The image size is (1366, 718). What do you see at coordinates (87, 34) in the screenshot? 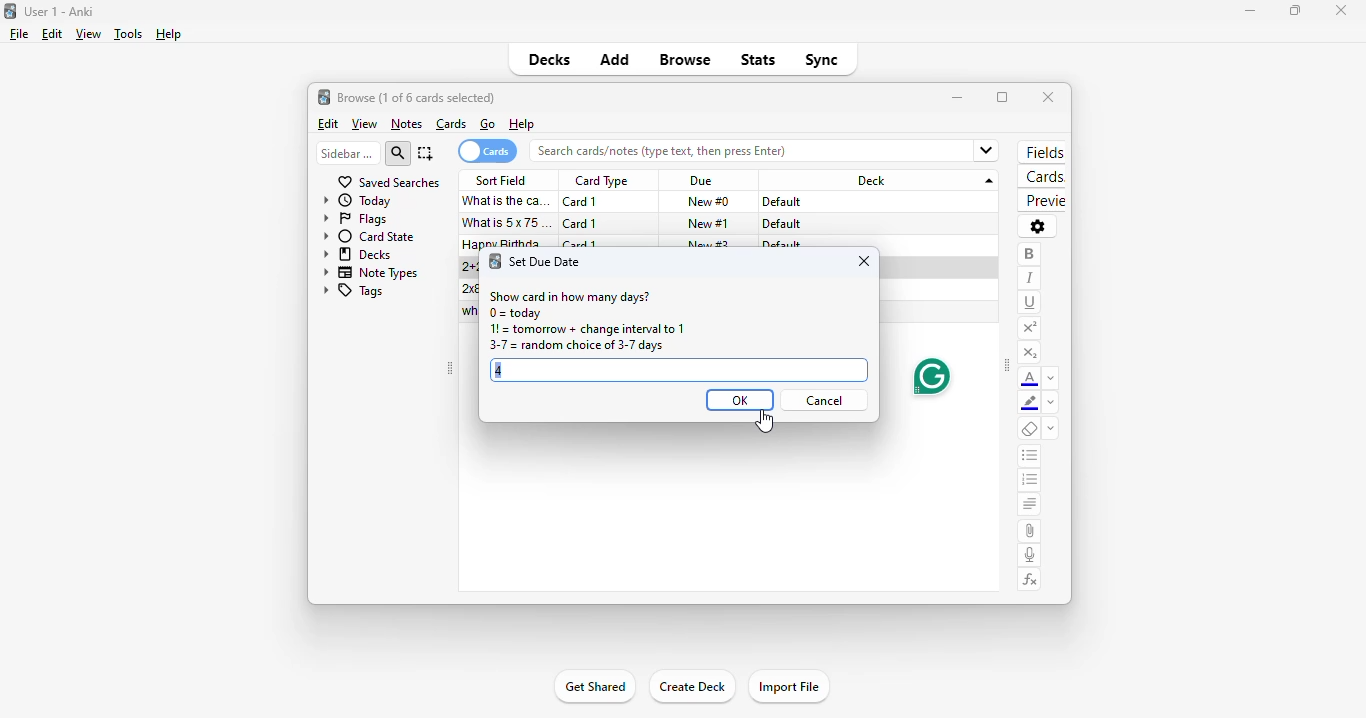
I see `view` at bounding box center [87, 34].